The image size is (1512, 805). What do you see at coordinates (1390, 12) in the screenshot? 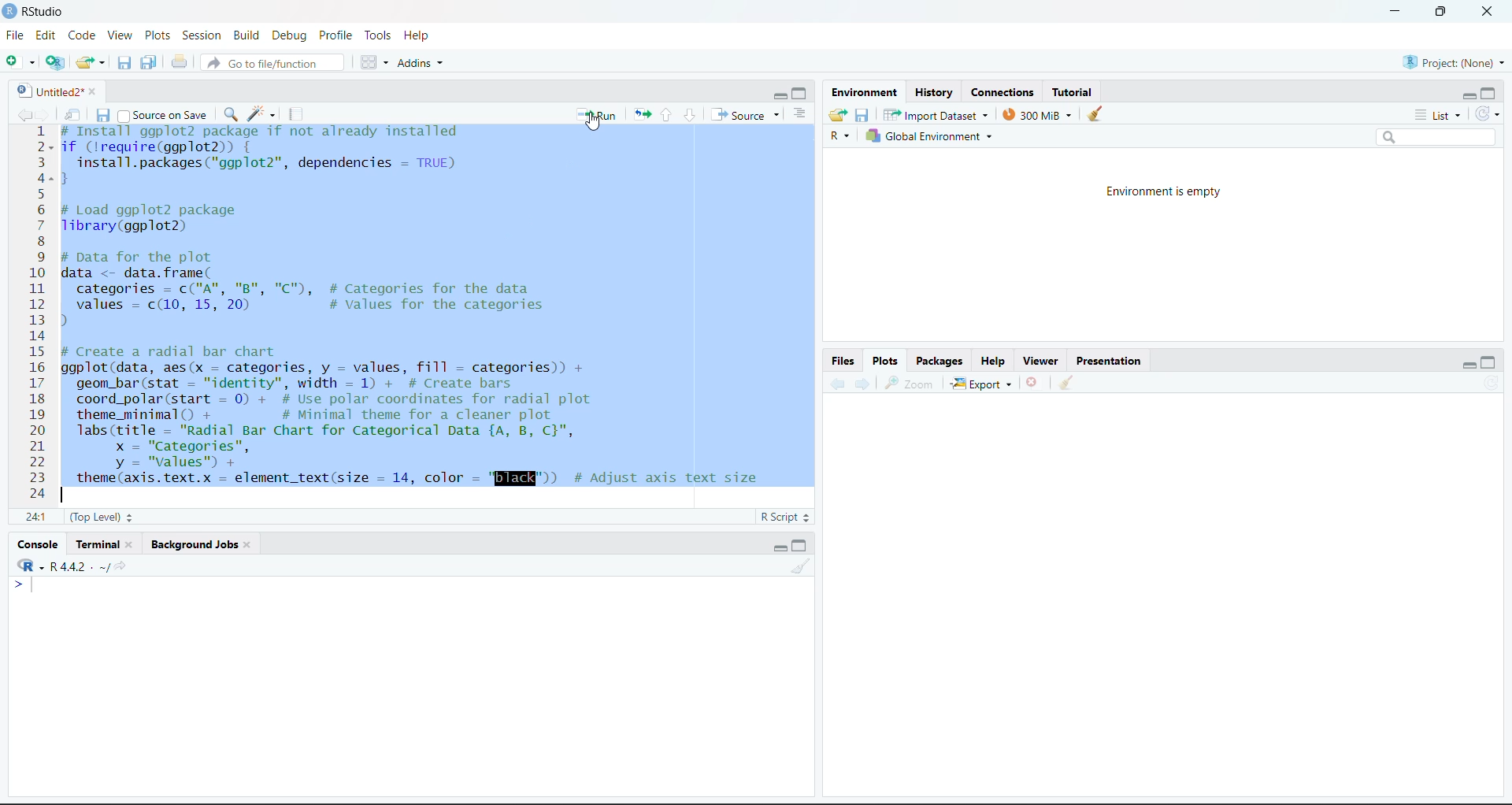
I see `minimize` at bounding box center [1390, 12].